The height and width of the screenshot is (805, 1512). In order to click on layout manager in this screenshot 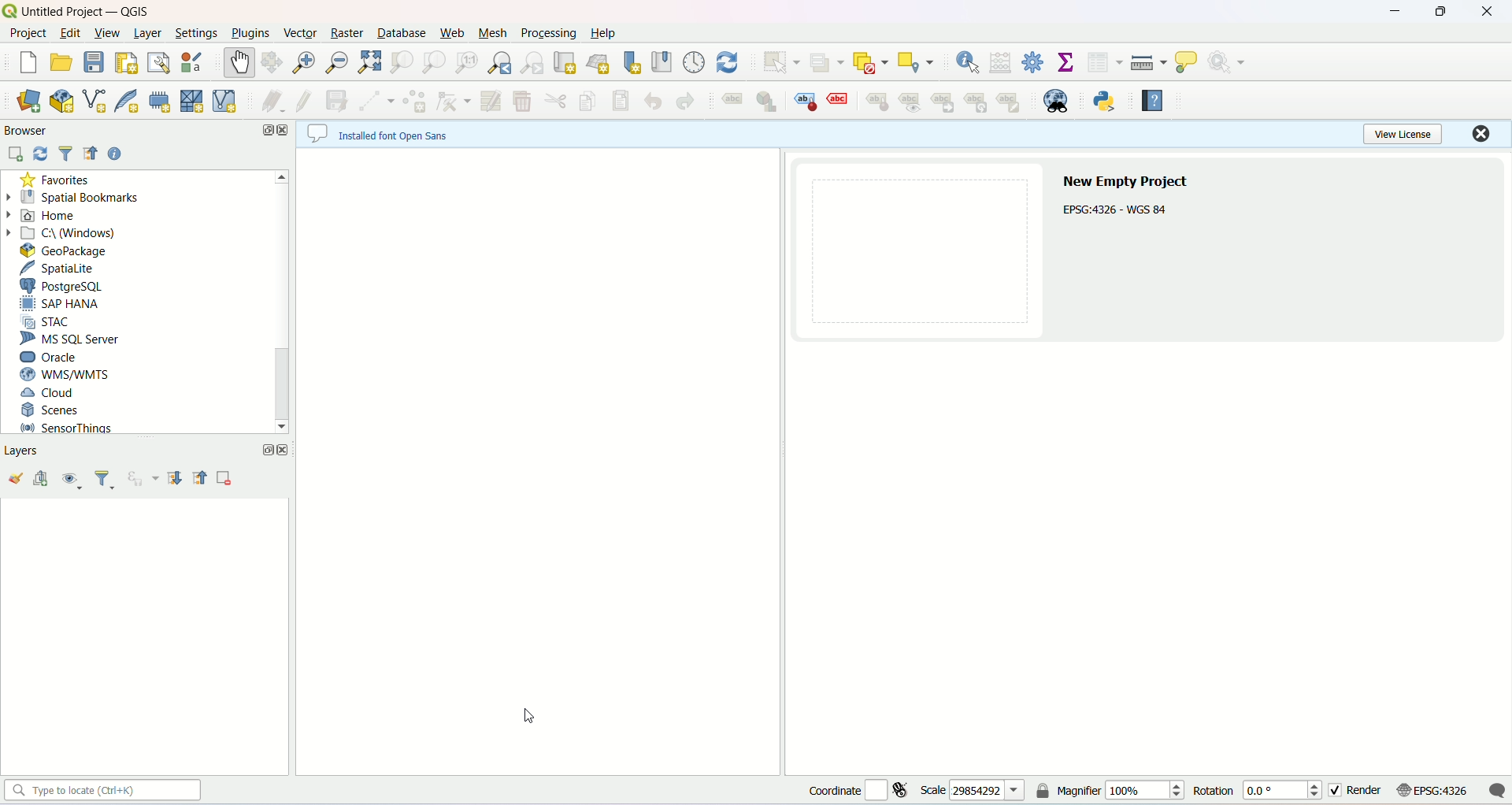, I will do `click(159, 63)`.